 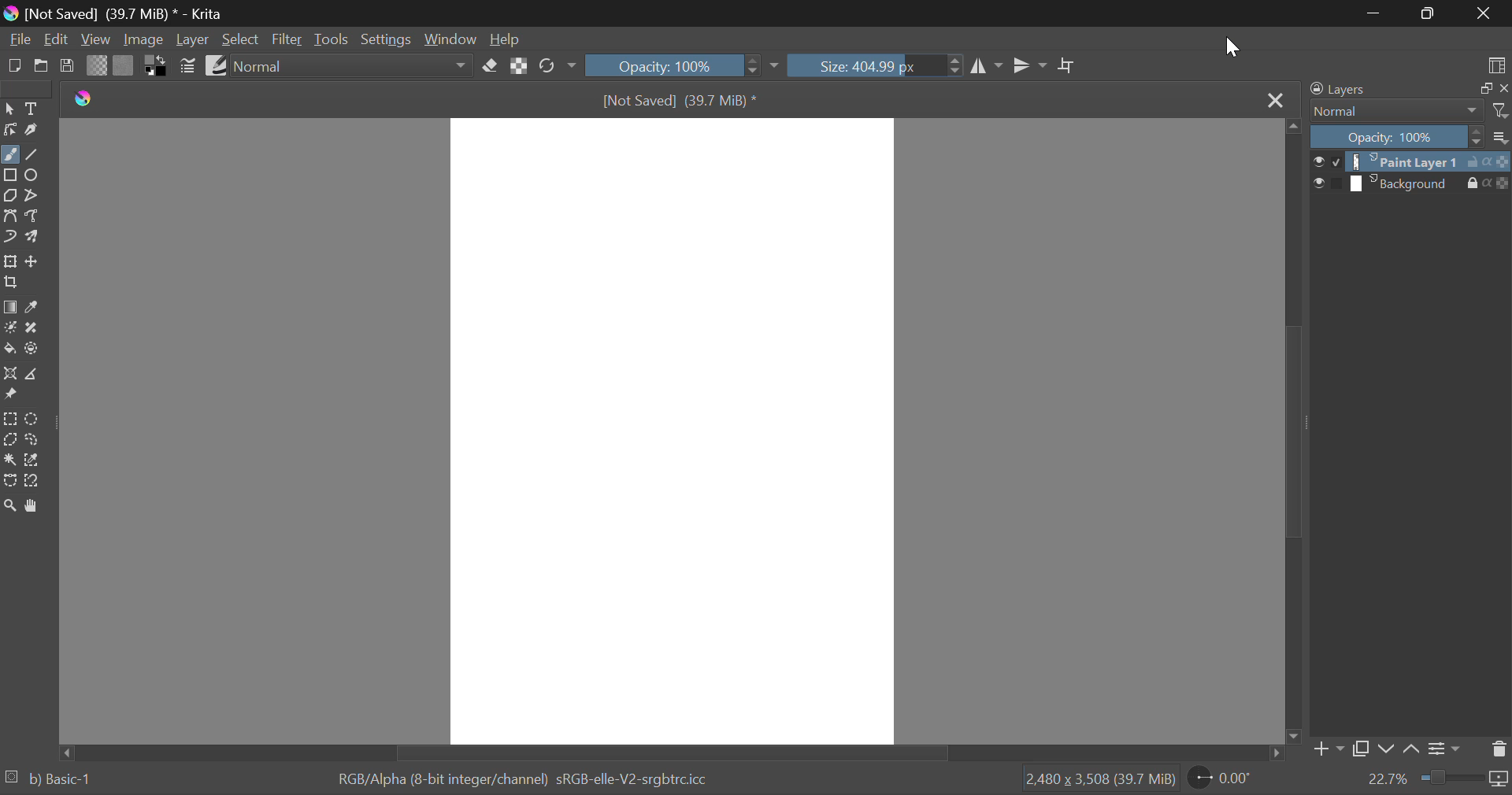 What do you see at coordinates (877, 65) in the screenshot?
I see `Brush Size 15.18px` at bounding box center [877, 65].